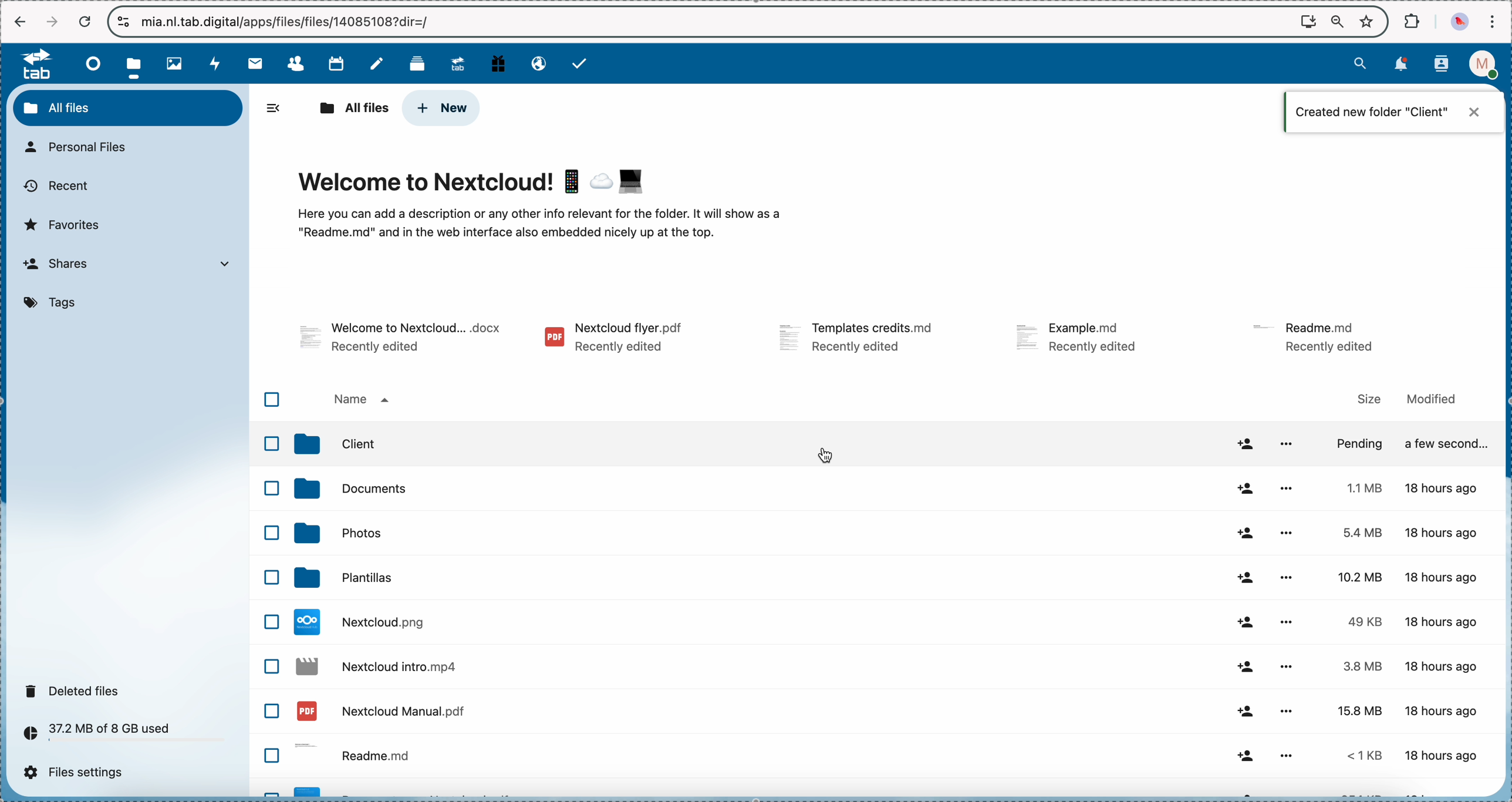 The width and height of the screenshot is (1512, 802). Describe the element at coordinates (1248, 533) in the screenshot. I see `share` at that location.